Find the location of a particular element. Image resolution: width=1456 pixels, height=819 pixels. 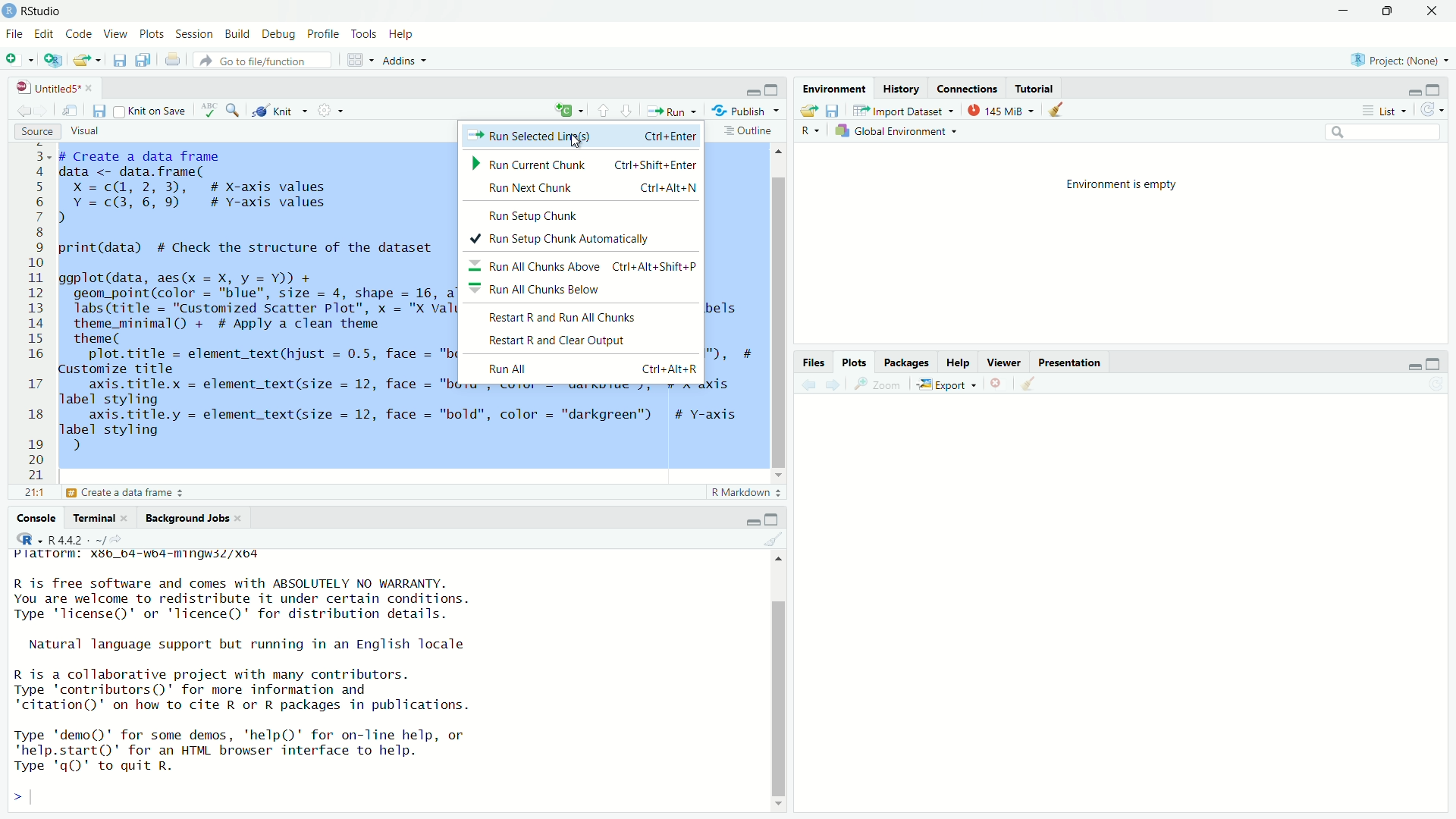

E
4
5
6
7
8
9
10
11
12
13
14
15
16
17
18
19
20
21 is located at coordinates (36, 312).